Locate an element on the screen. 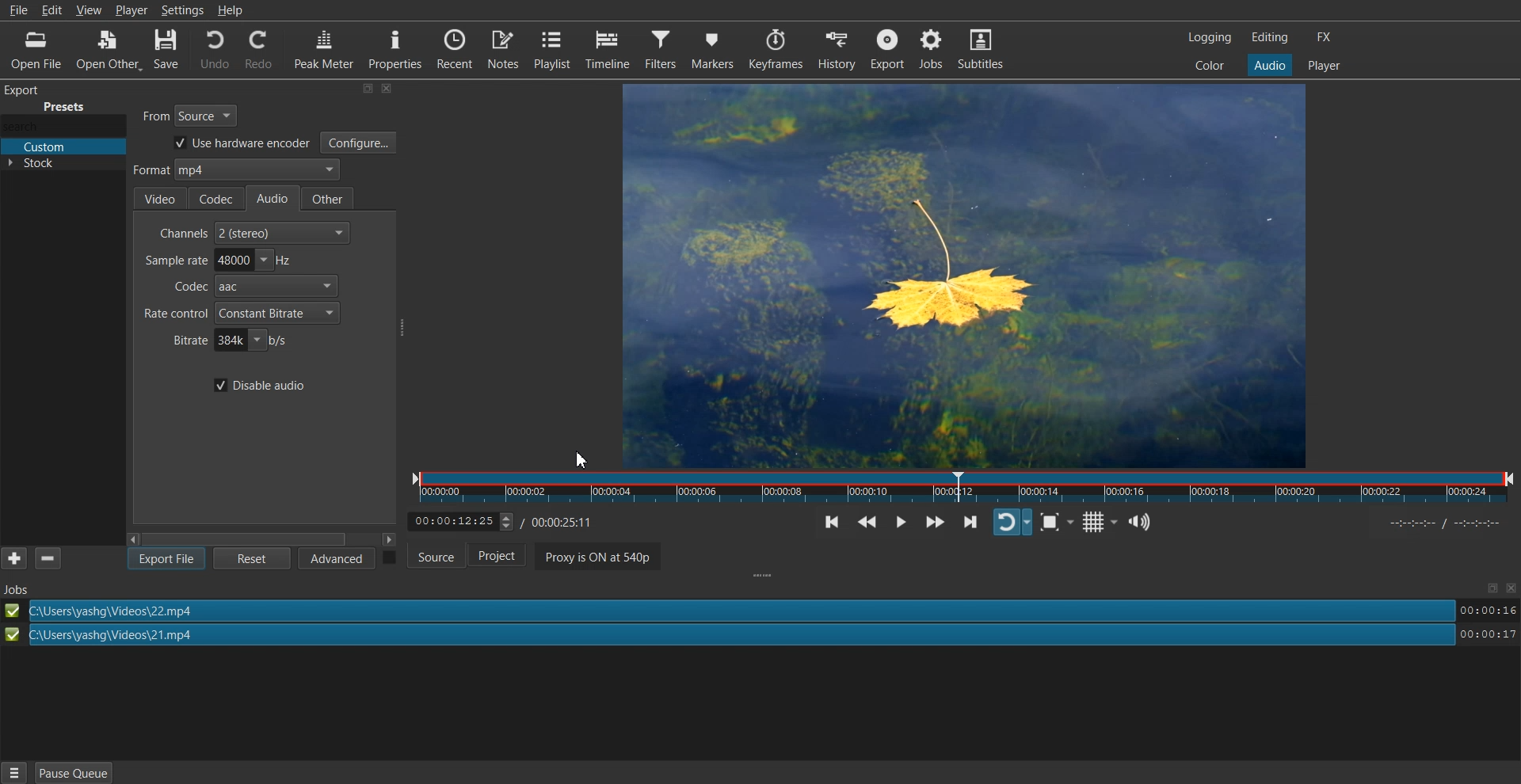 This screenshot has height=784, width=1521. Proxy is ON at 540p is located at coordinates (594, 558).